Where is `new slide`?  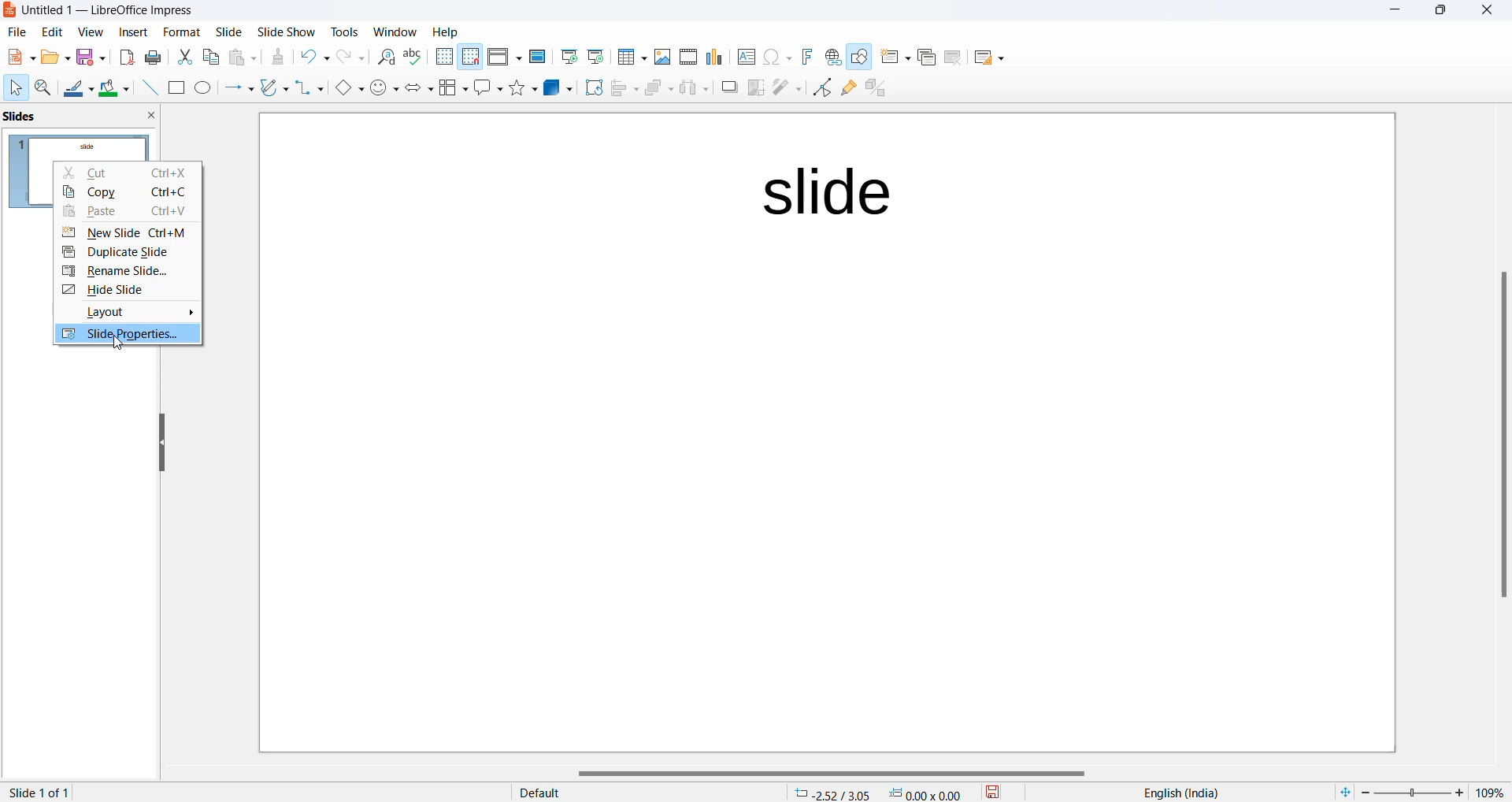 new slide is located at coordinates (895, 61).